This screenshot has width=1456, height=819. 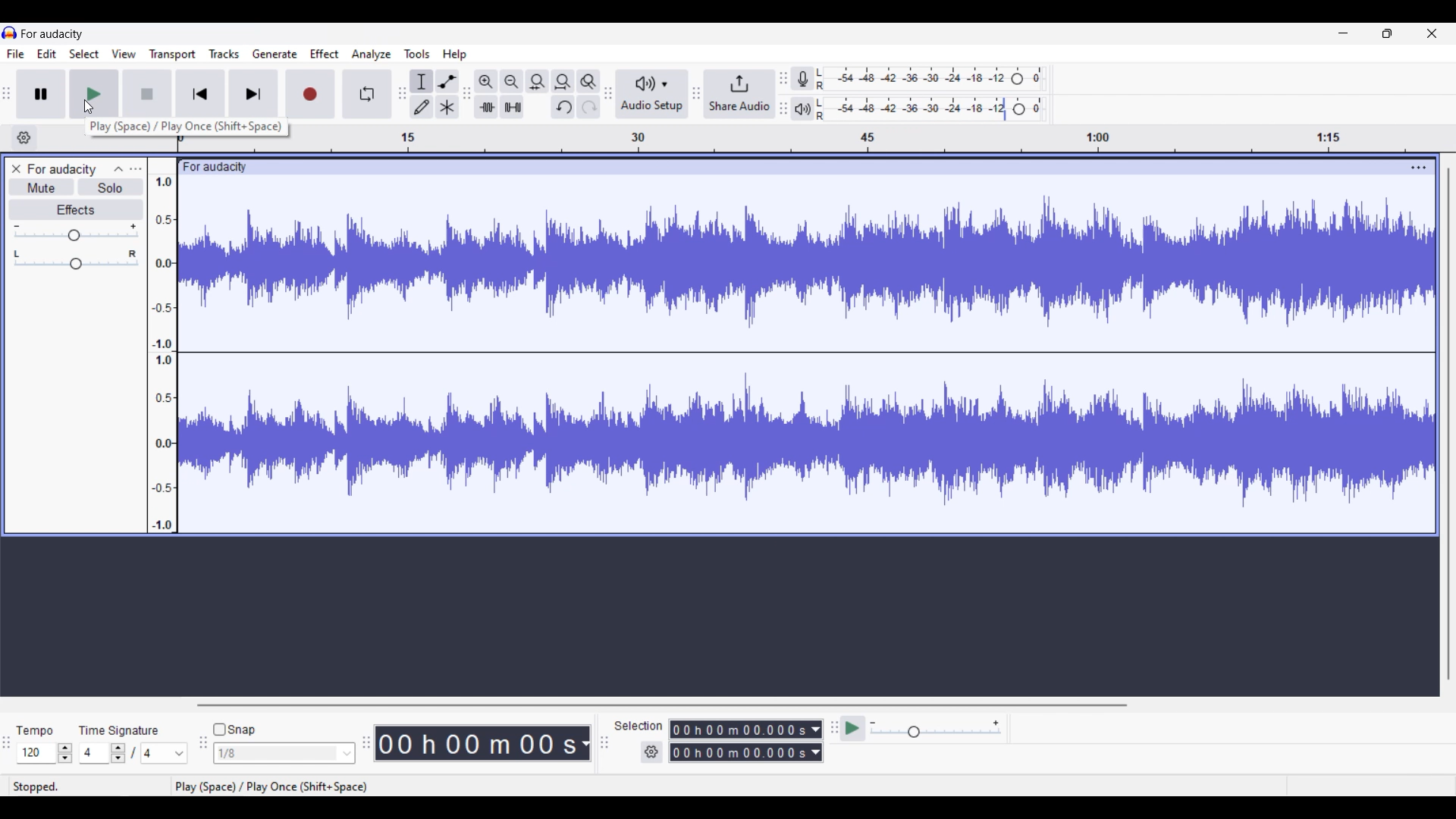 What do you see at coordinates (1343, 33) in the screenshot?
I see `Minimize` at bounding box center [1343, 33].